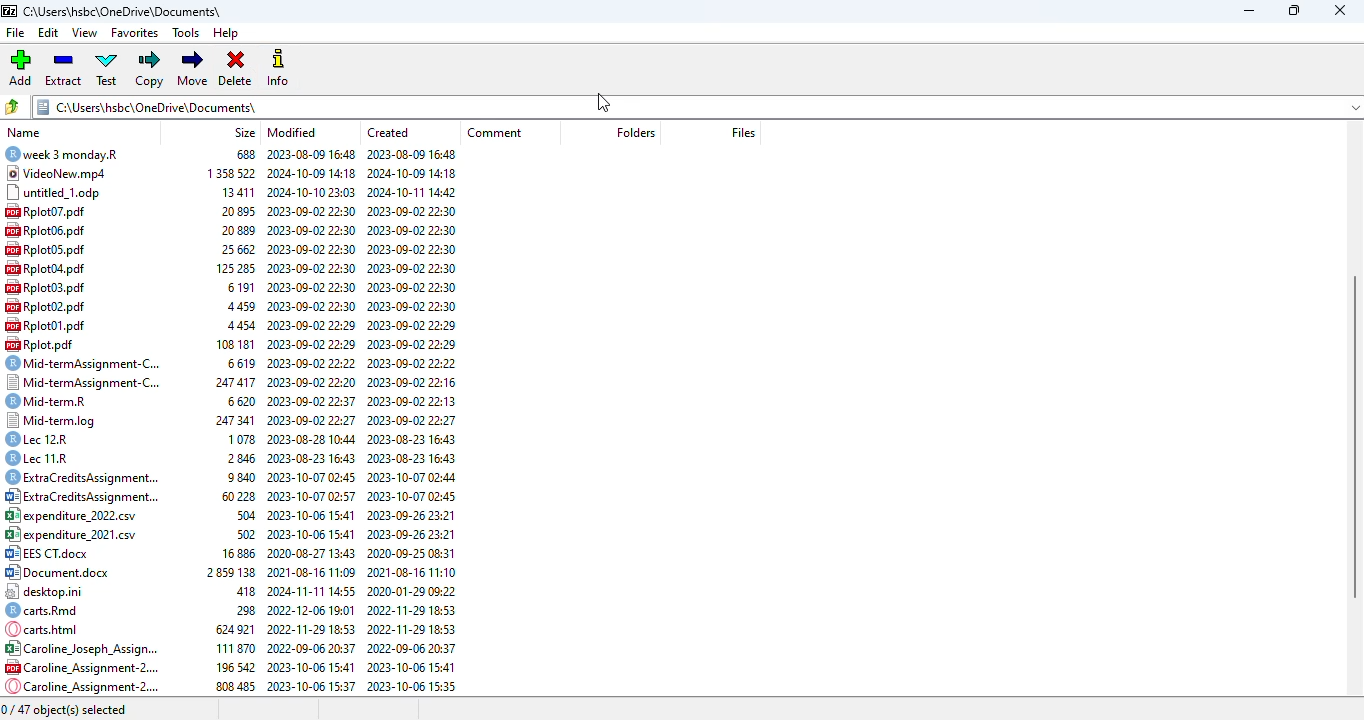 The image size is (1364, 720). Describe the element at coordinates (233, 153) in the screenshot. I see `688` at that location.